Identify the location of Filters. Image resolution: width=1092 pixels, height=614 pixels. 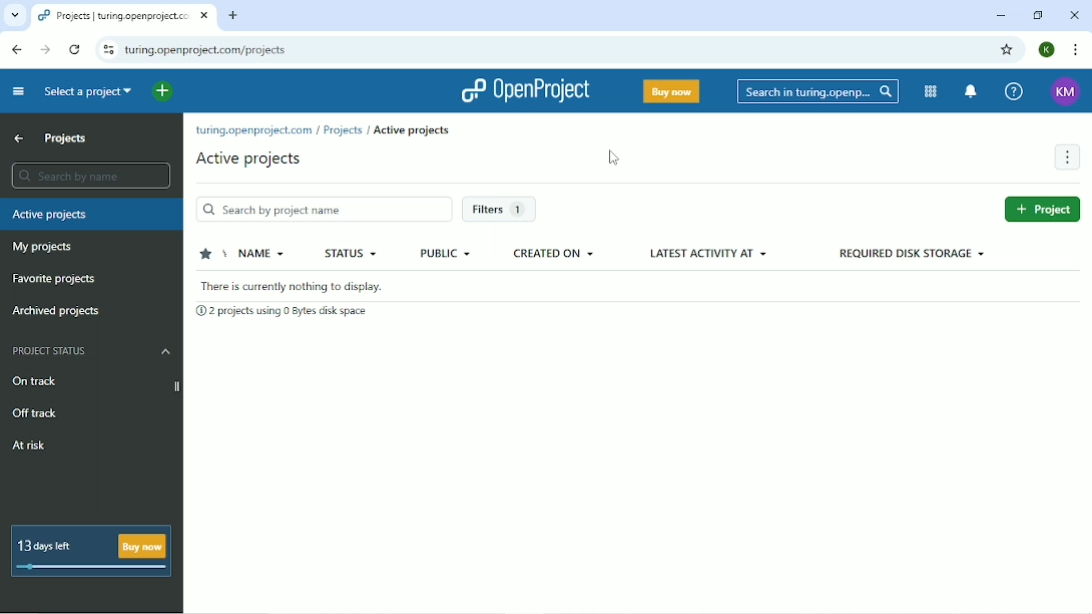
(498, 210).